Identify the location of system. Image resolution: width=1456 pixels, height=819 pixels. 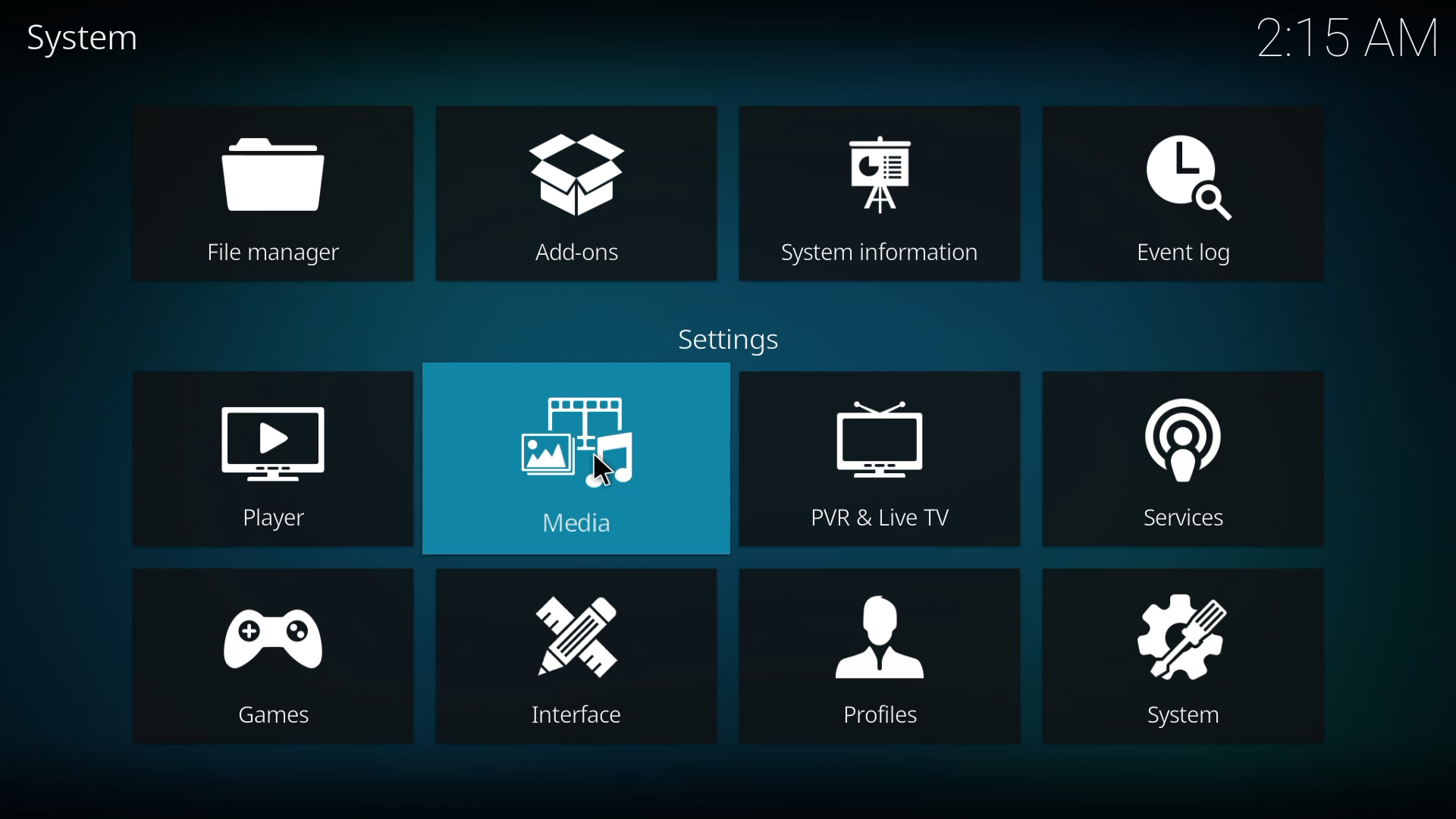
(97, 36).